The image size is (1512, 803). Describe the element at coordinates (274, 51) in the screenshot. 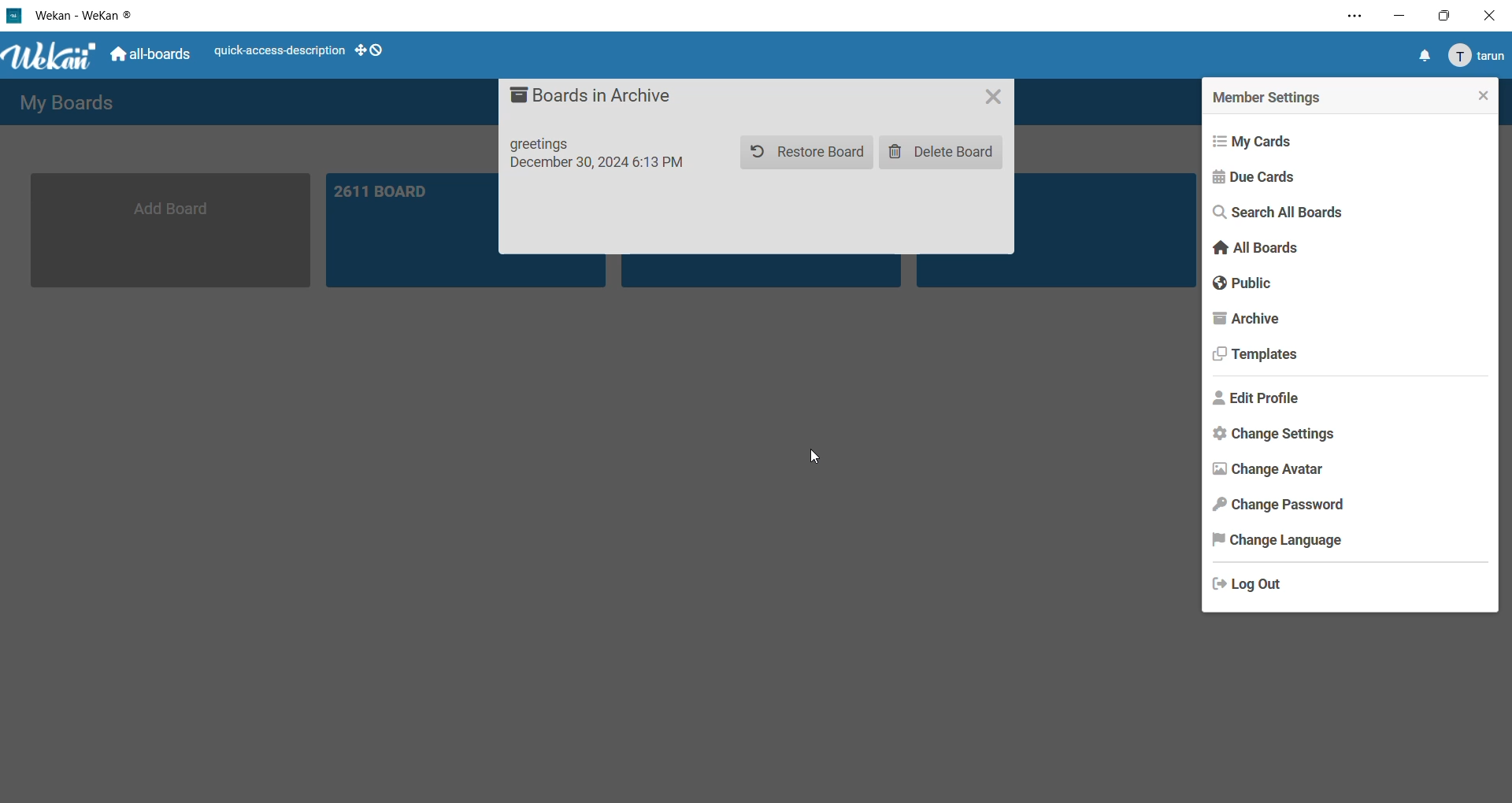

I see `quick access description` at that location.